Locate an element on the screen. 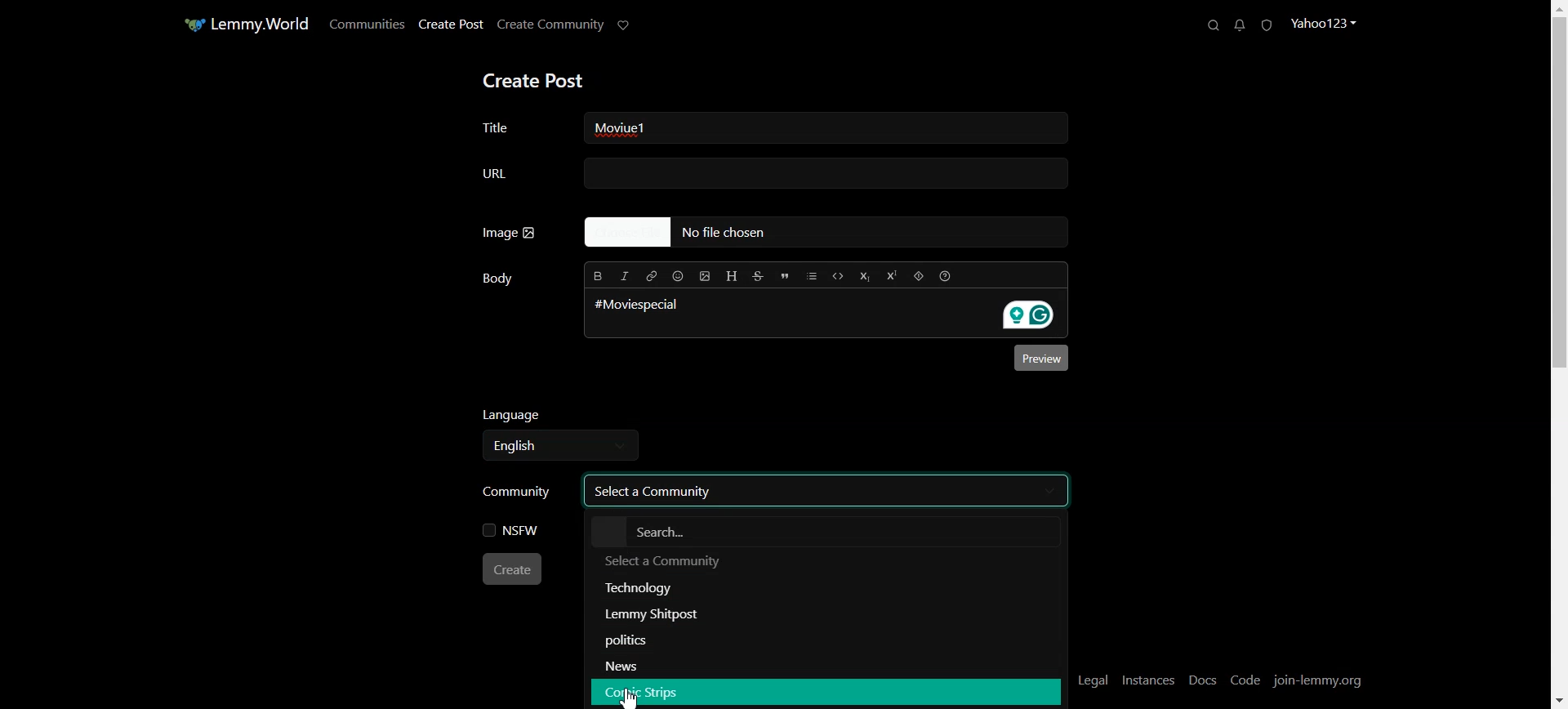  Text is located at coordinates (634, 127).